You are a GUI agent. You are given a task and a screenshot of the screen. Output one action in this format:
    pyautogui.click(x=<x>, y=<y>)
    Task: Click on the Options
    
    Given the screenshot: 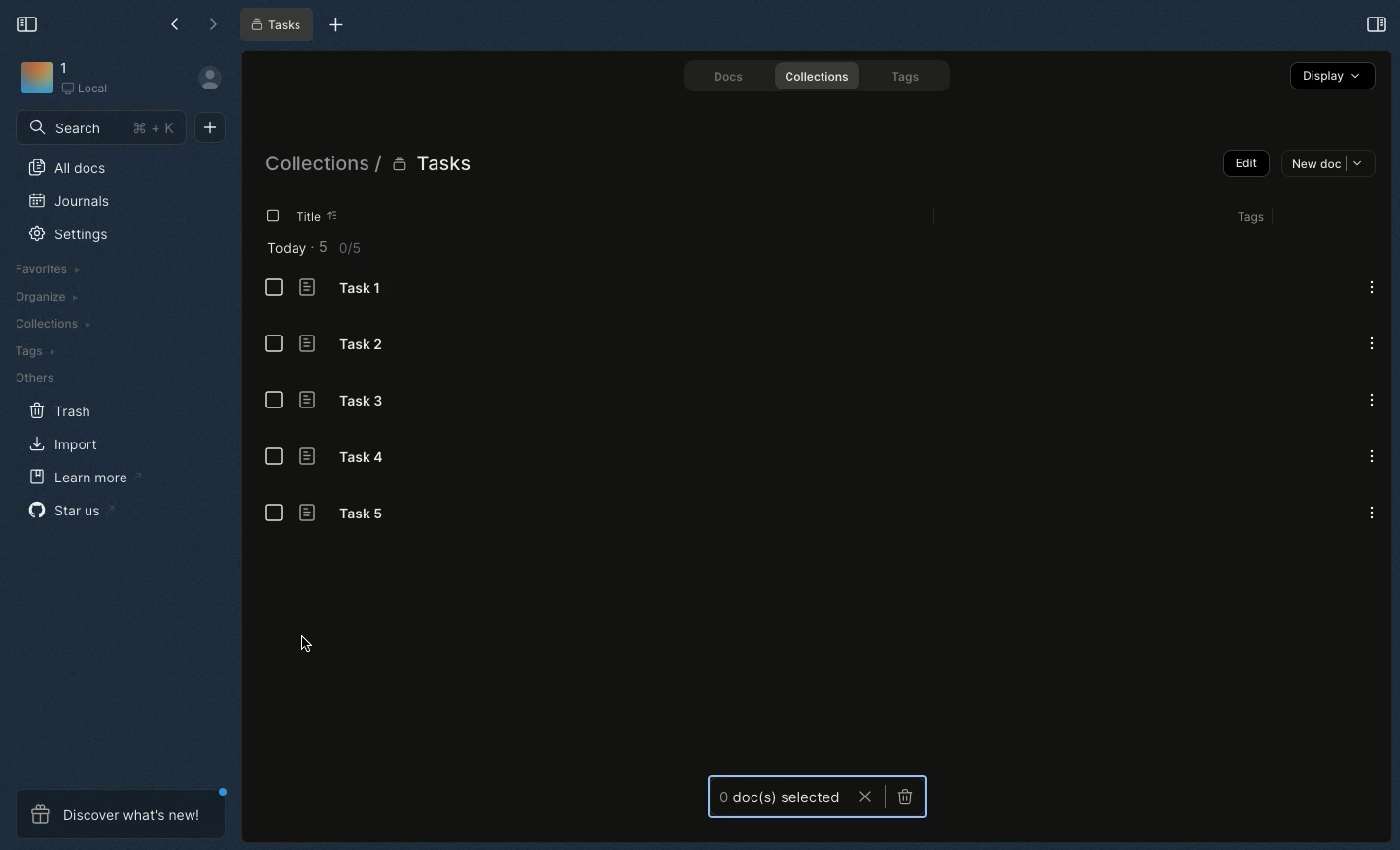 What is the action you would take?
    pyautogui.click(x=1372, y=341)
    